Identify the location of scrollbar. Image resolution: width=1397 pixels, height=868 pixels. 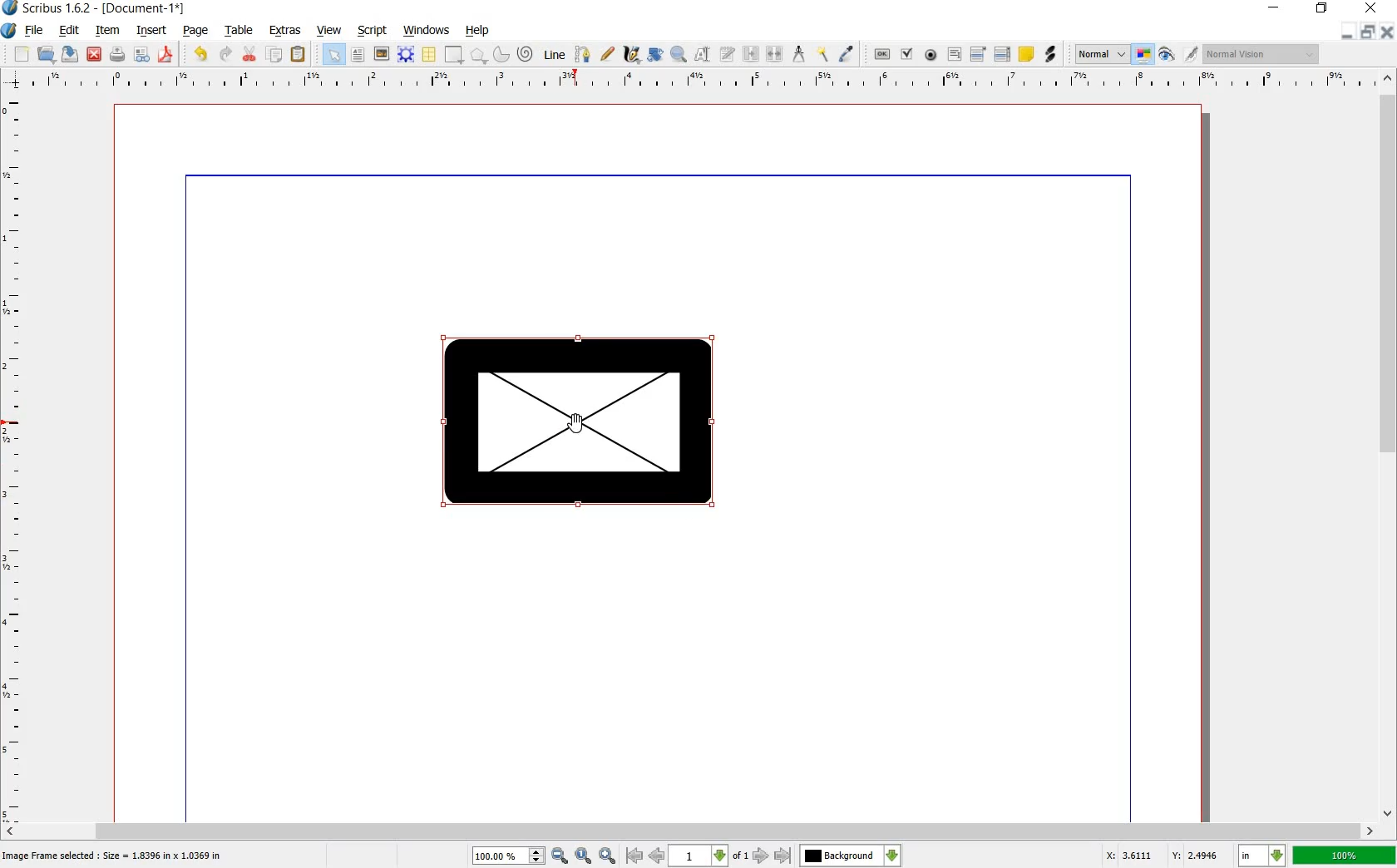
(689, 830).